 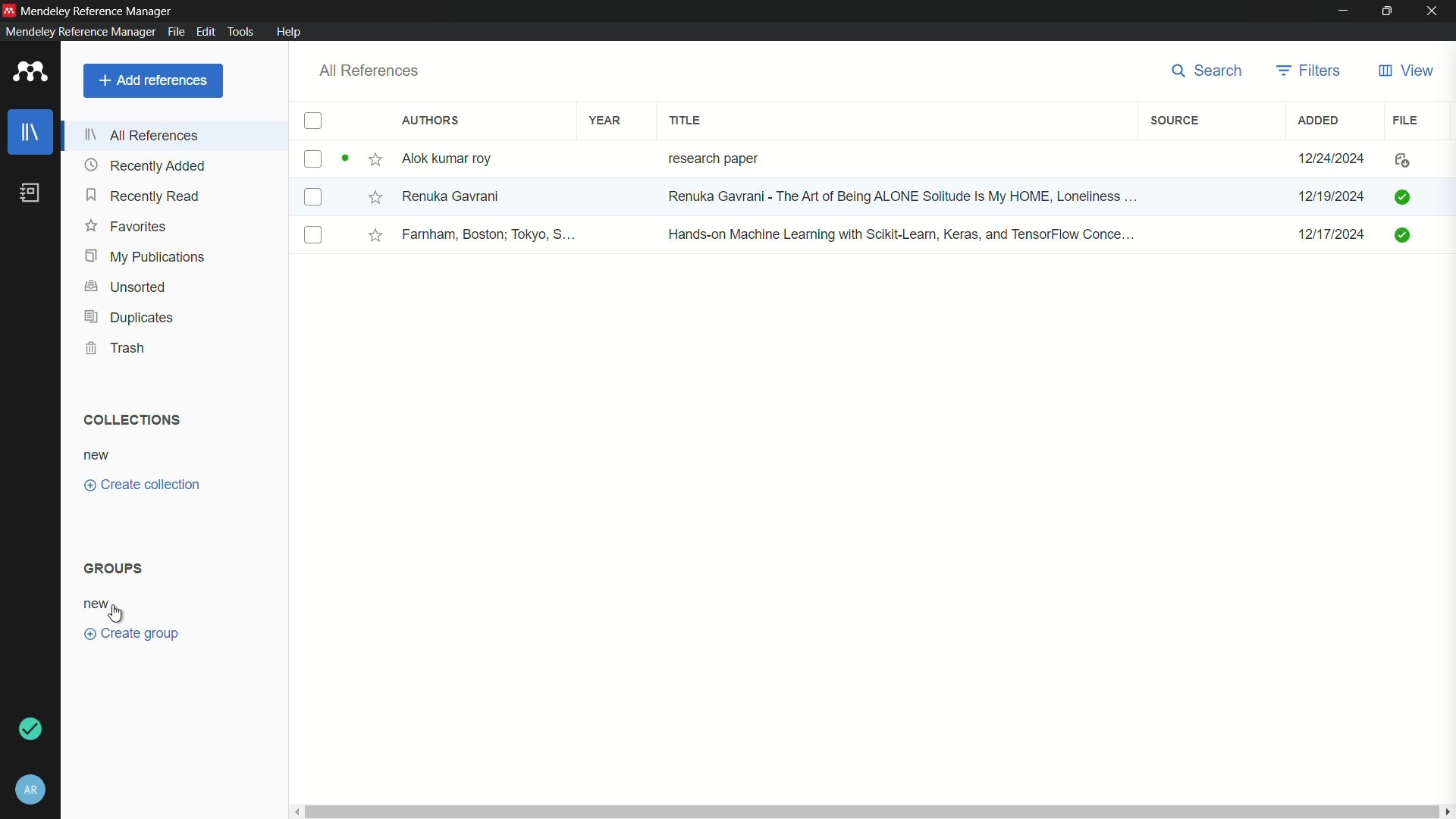 I want to click on synced, so click(x=35, y=730).